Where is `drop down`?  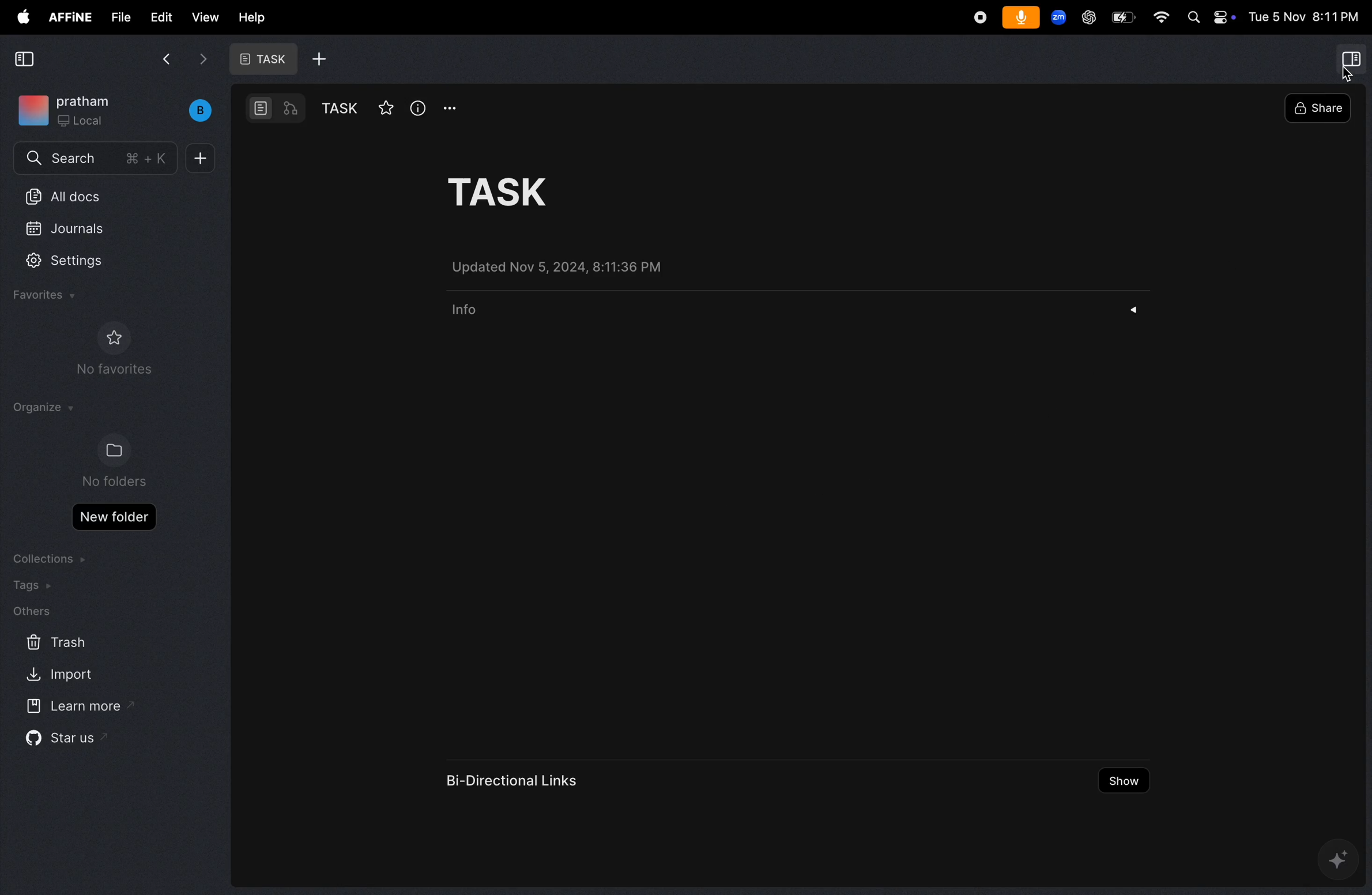 drop down is located at coordinates (1134, 312).